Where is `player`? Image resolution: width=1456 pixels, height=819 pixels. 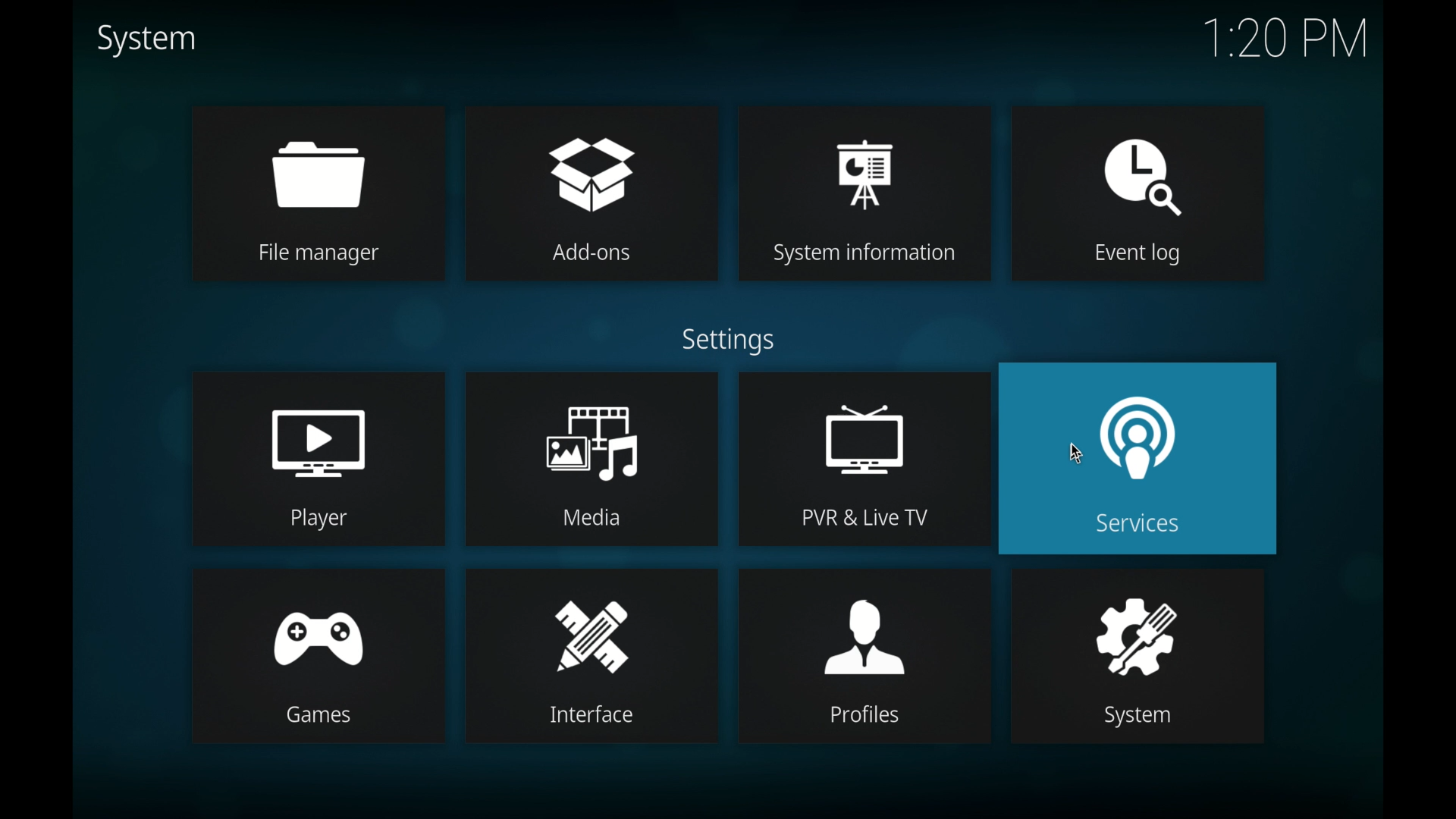 player is located at coordinates (318, 459).